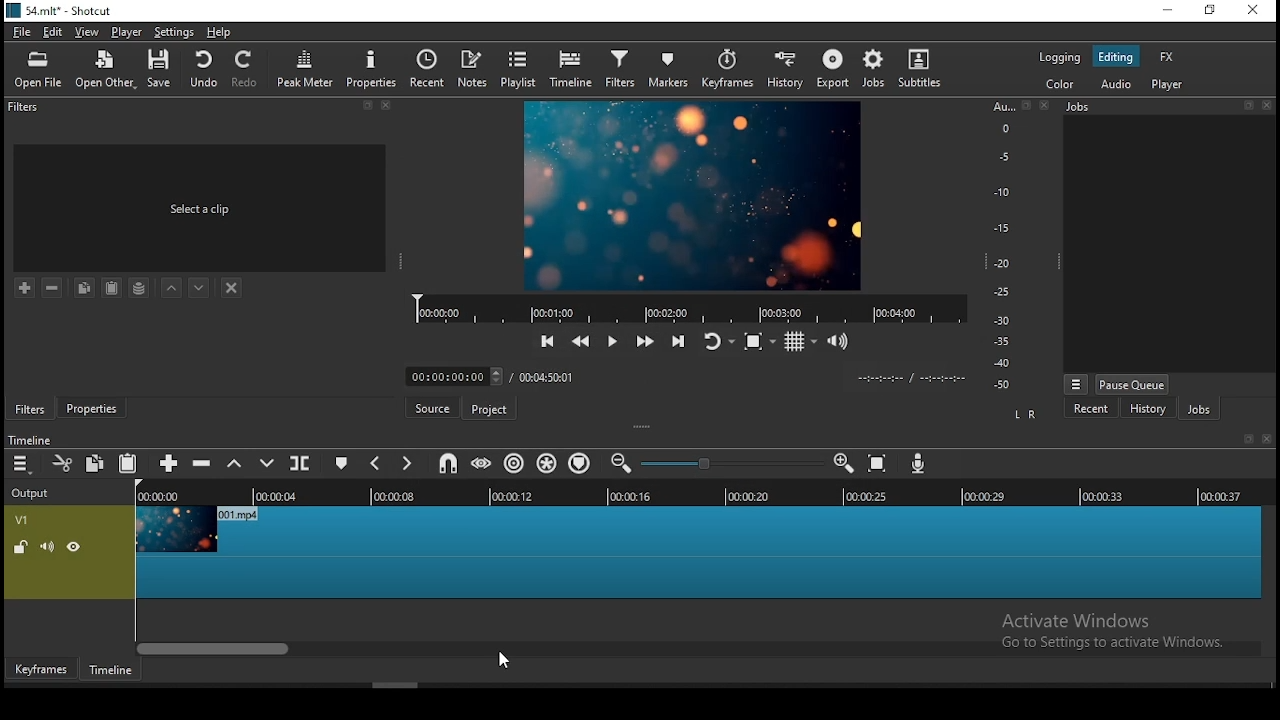 This screenshot has width=1280, height=720. I want to click on copy, so click(84, 287).